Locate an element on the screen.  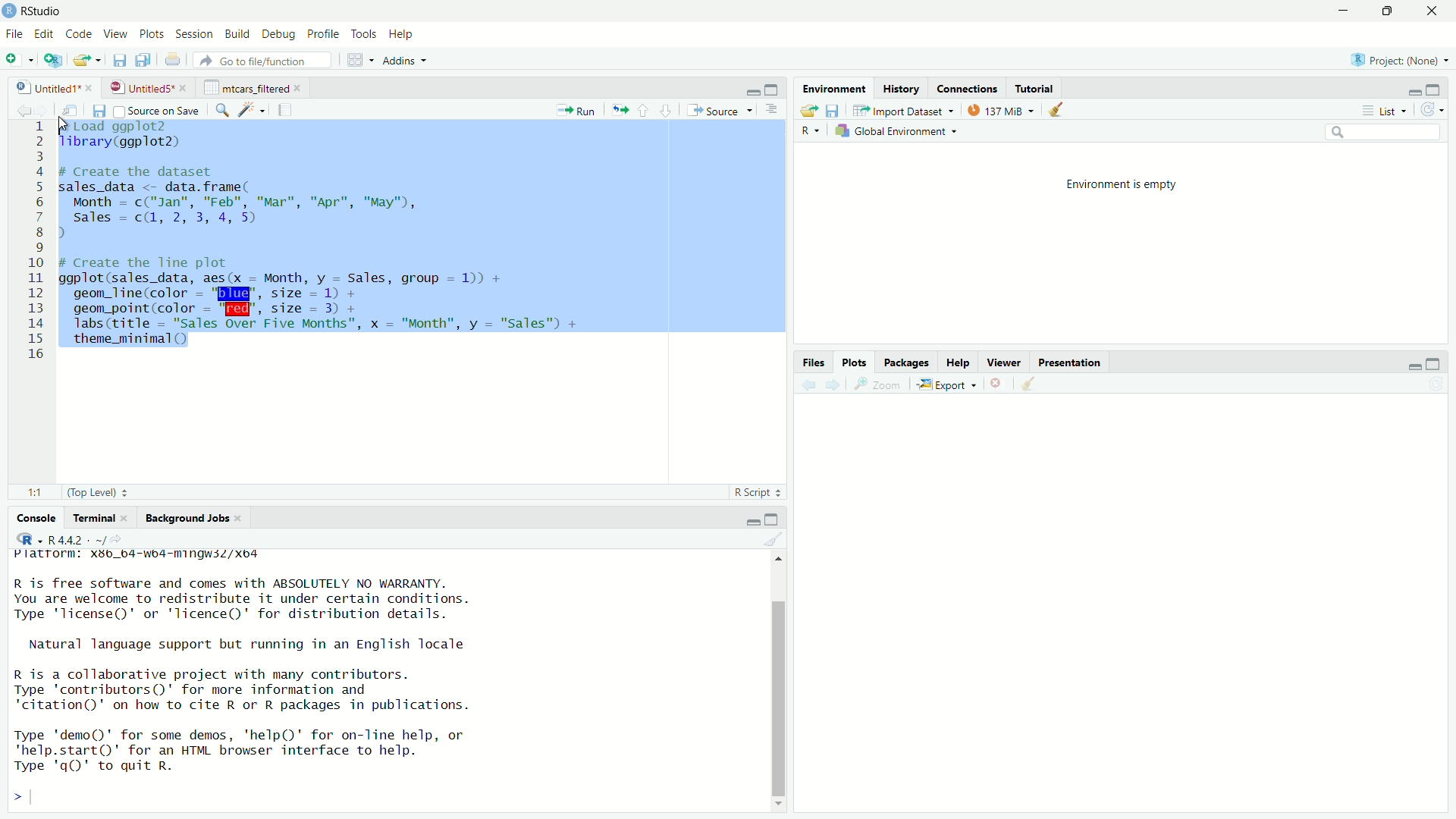
files is located at coordinates (816, 363).